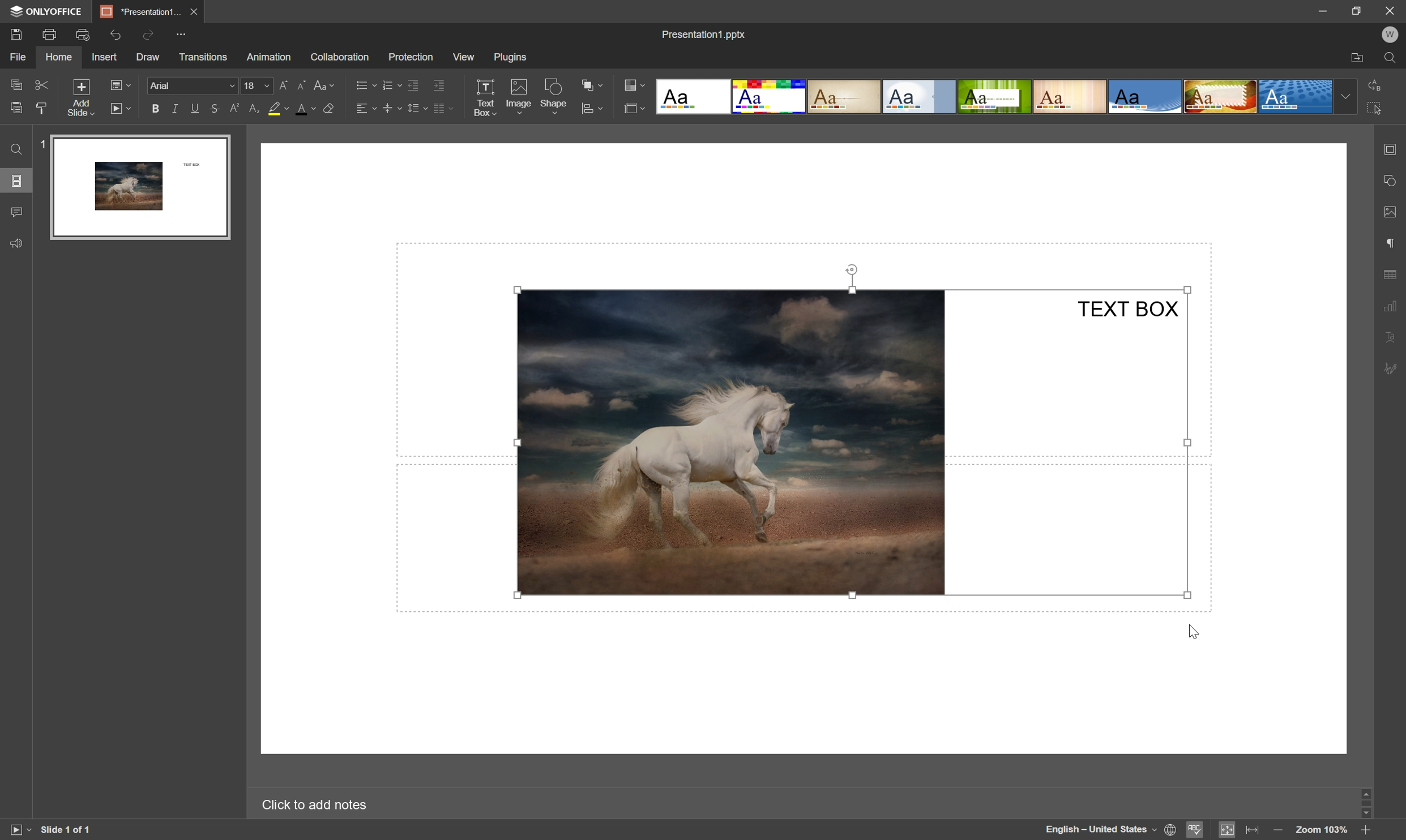  I want to click on increase indent, so click(439, 85).